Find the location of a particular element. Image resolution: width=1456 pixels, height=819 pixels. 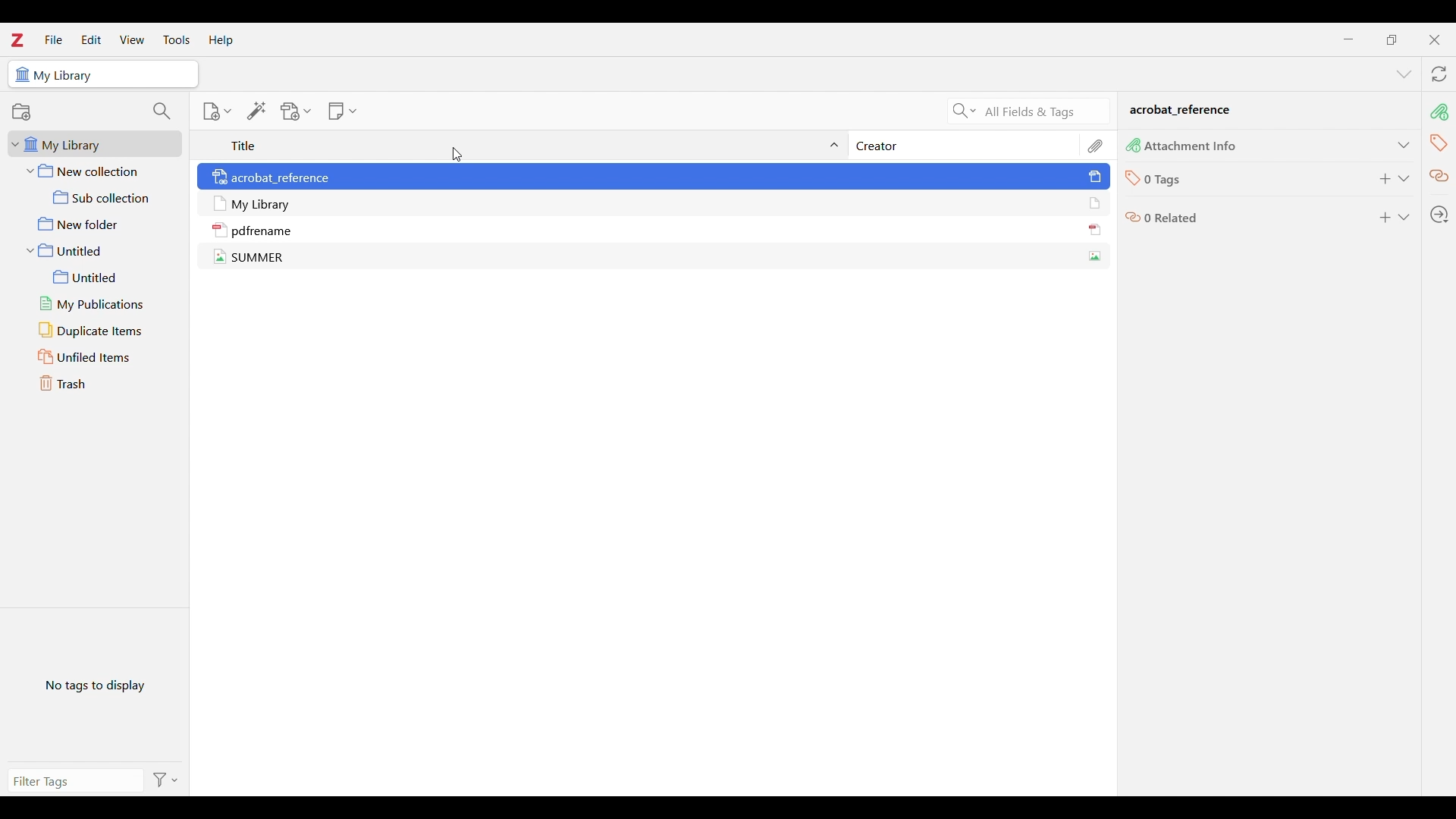

icon is located at coordinates (21, 75).